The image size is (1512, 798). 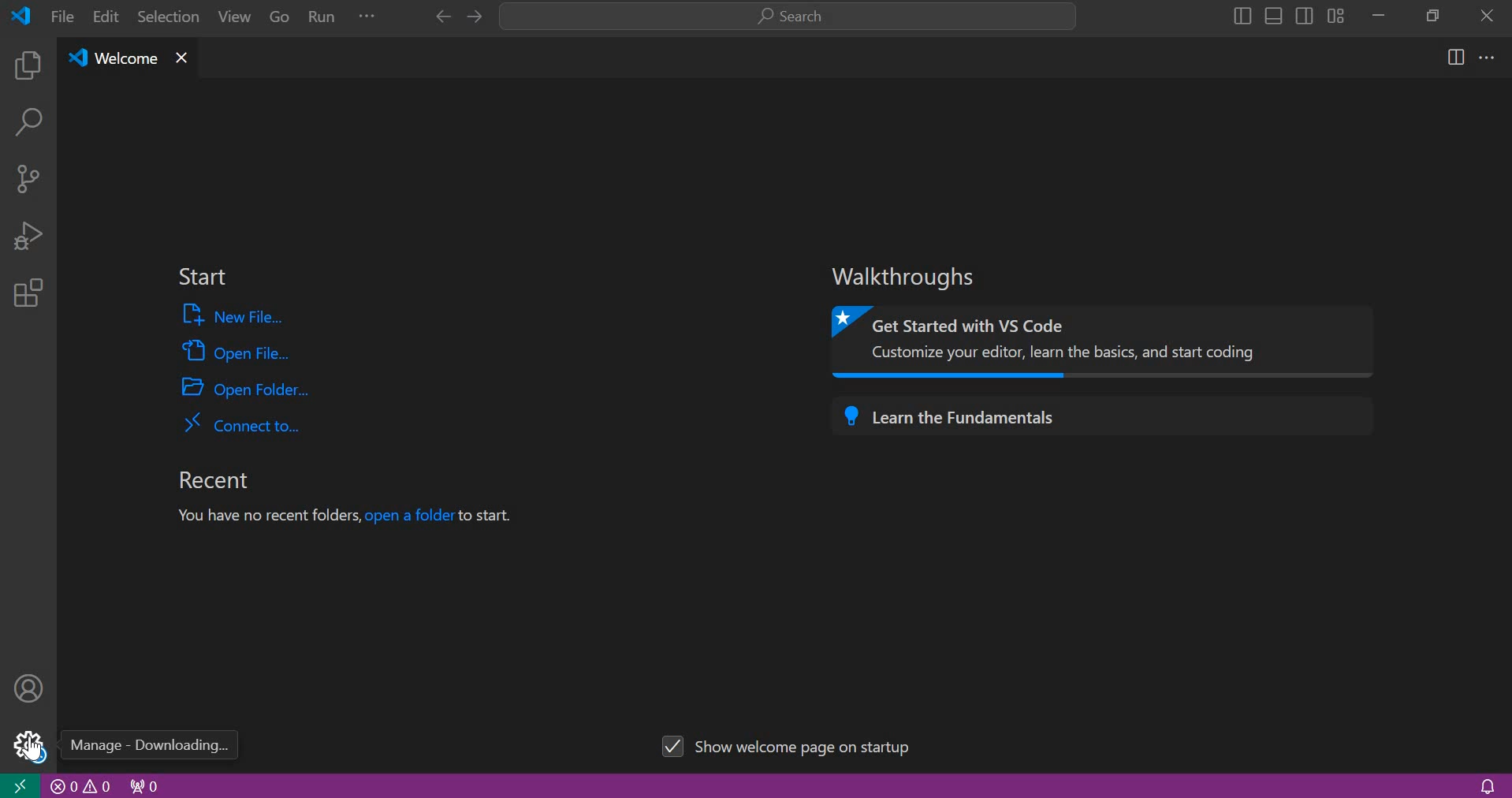 I want to click on vscode system, so click(x=25, y=16).